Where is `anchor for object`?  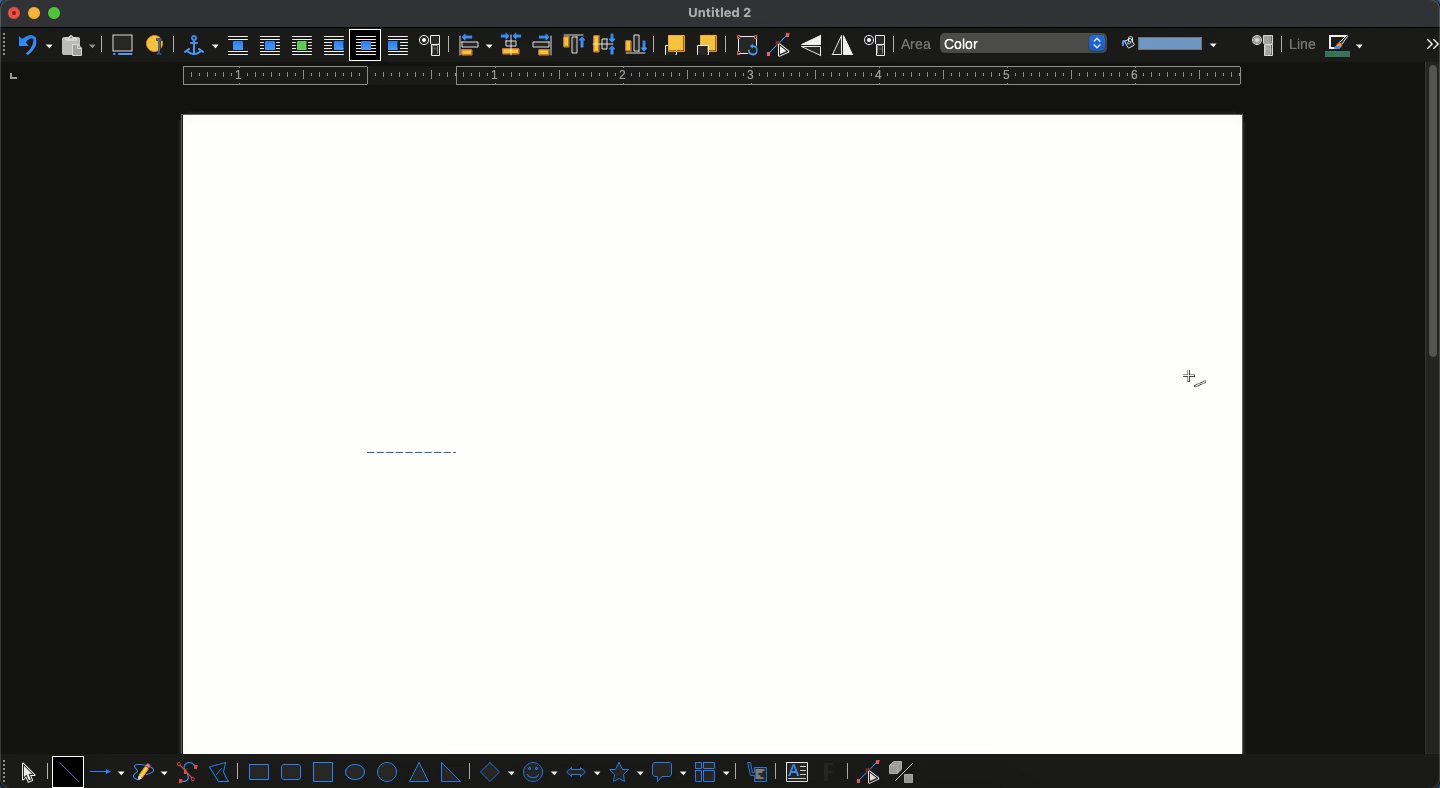 anchor for object is located at coordinates (195, 45).